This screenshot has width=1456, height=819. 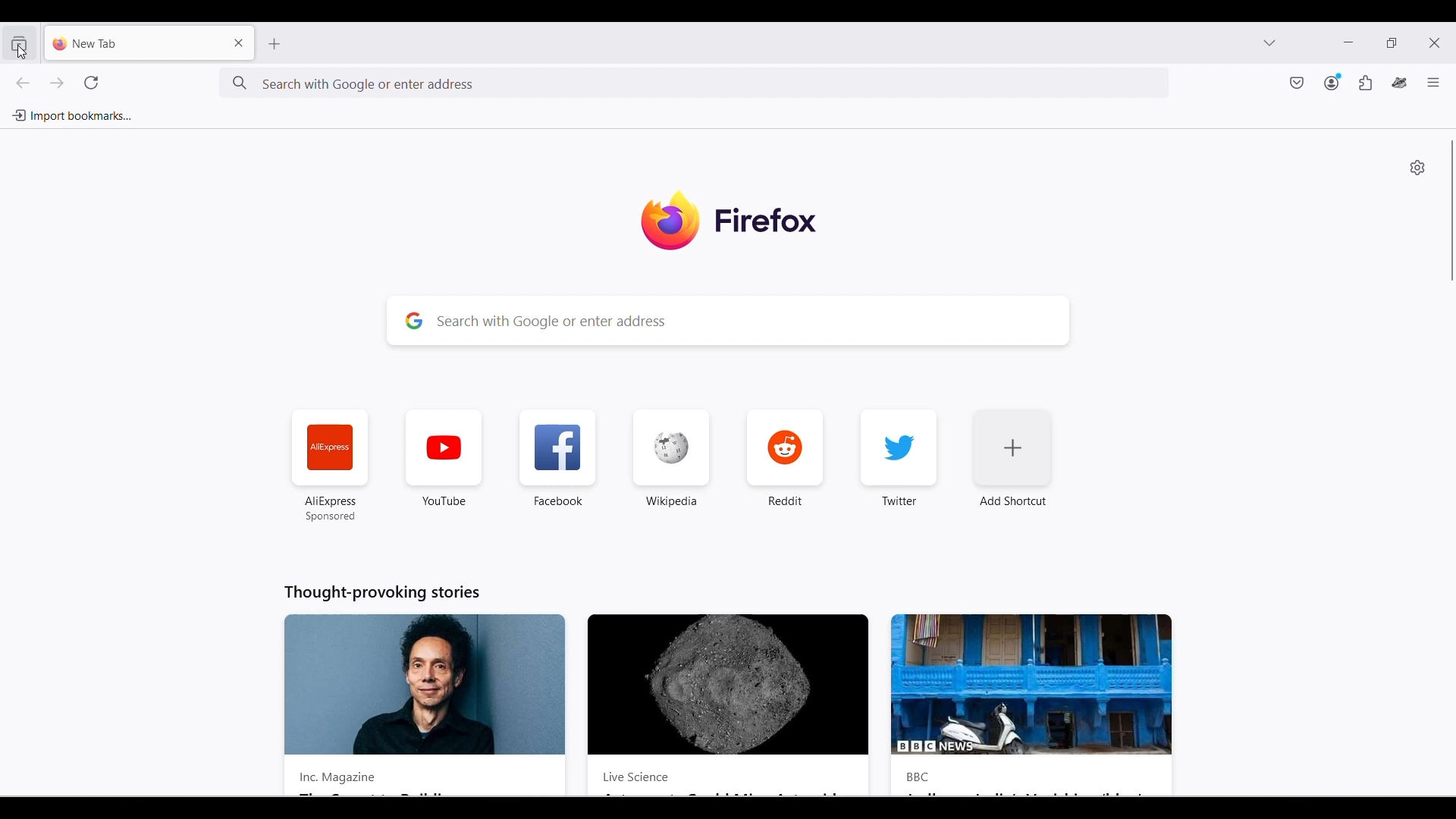 I want to click on Go forward one page, so click(x=55, y=83).